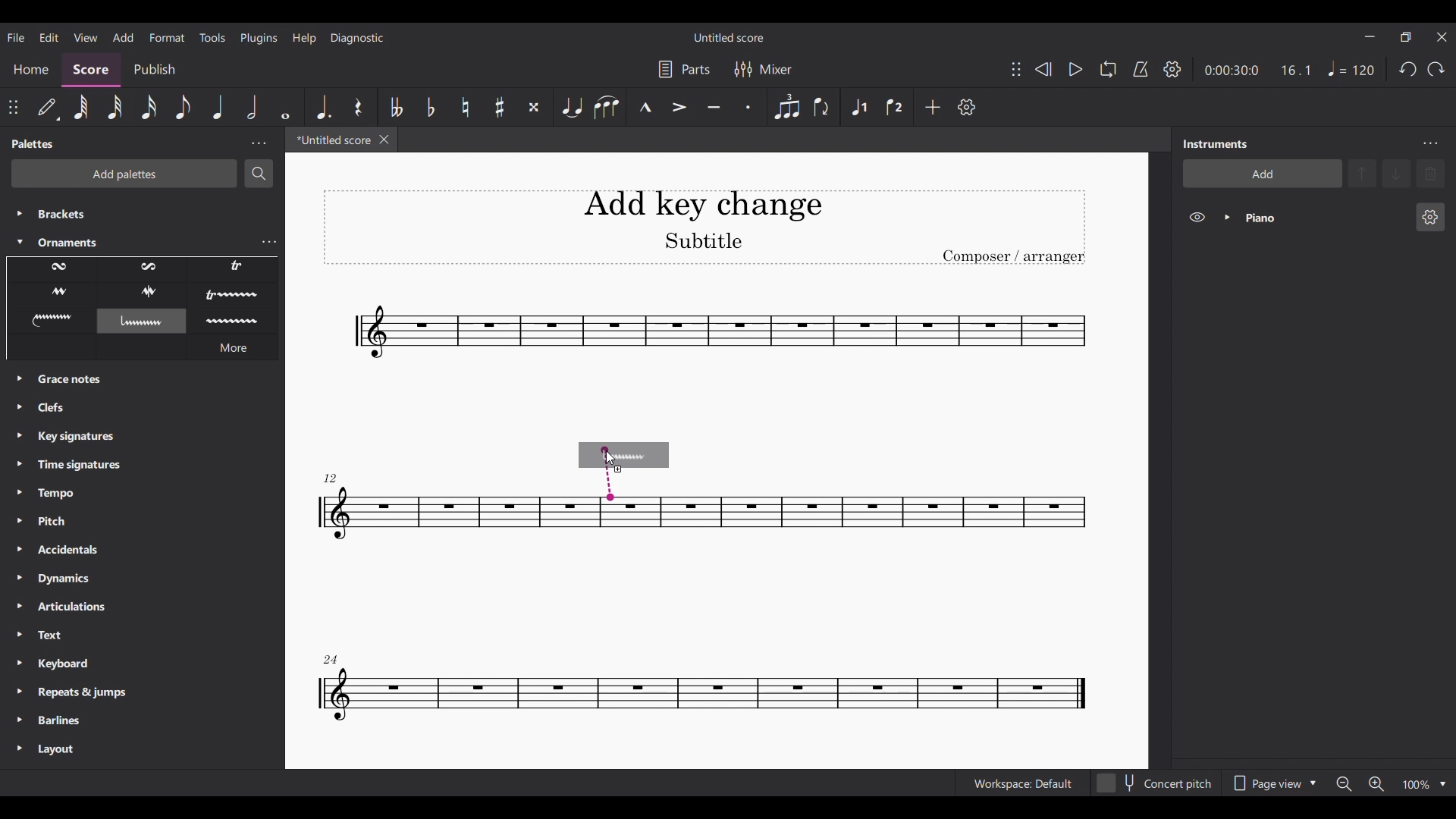  What do you see at coordinates (1273, 783) in the screenshot?
I see `Page view options` at bounding box center [1273, 783].